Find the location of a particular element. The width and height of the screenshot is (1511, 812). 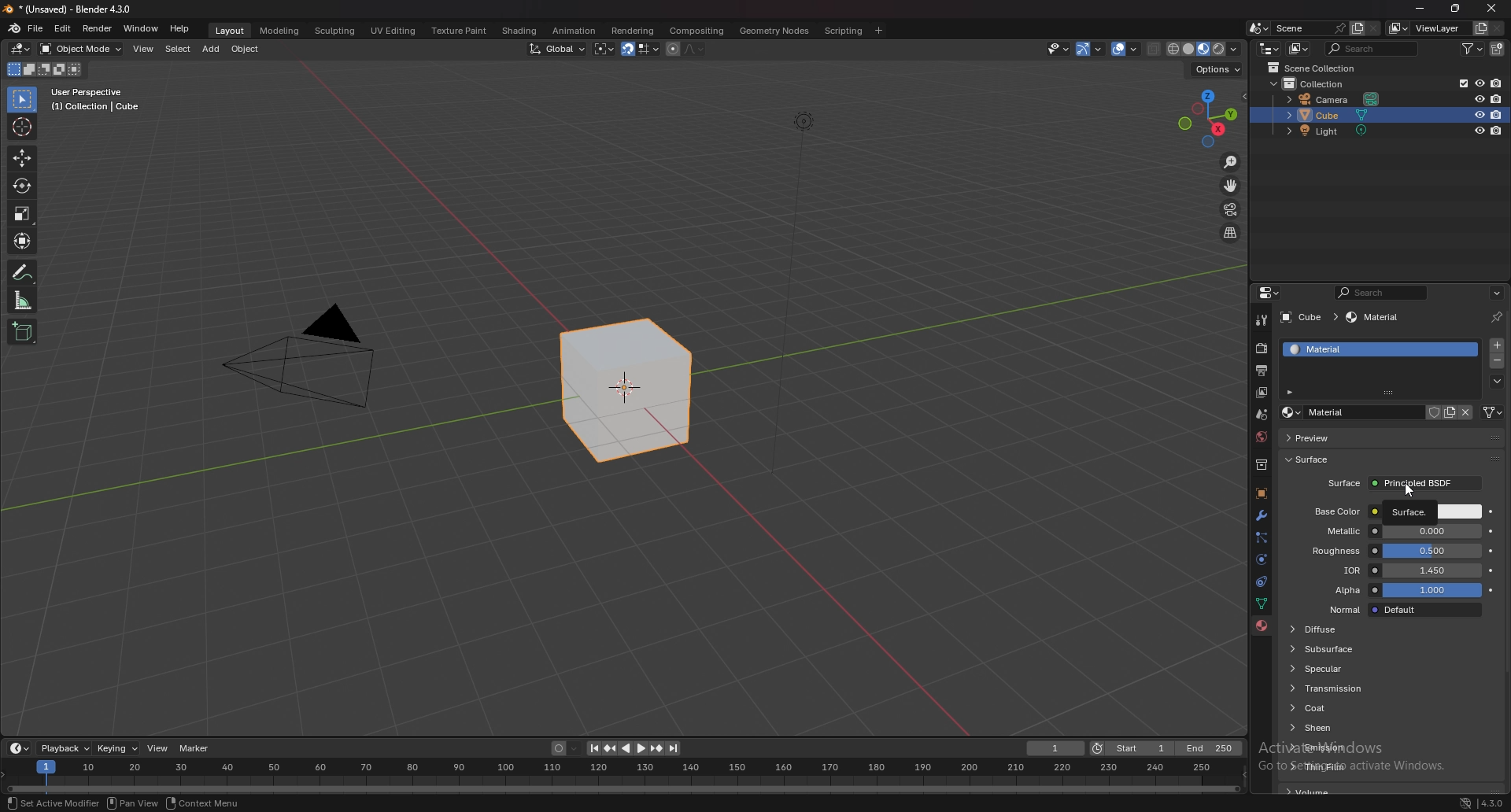

add collection is located at coordinates (1498, 49).